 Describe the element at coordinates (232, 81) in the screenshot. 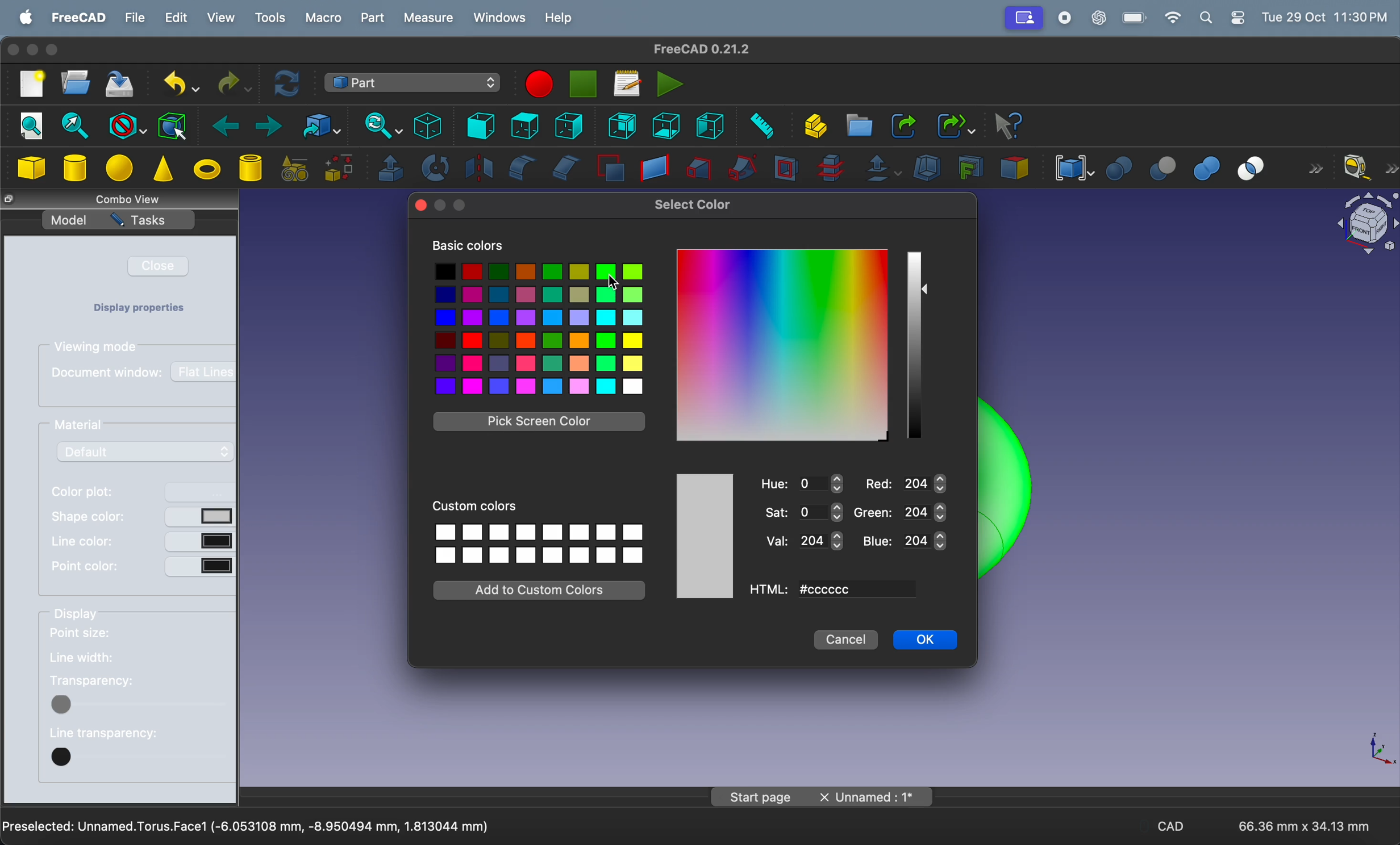

I see `redo` at that location.